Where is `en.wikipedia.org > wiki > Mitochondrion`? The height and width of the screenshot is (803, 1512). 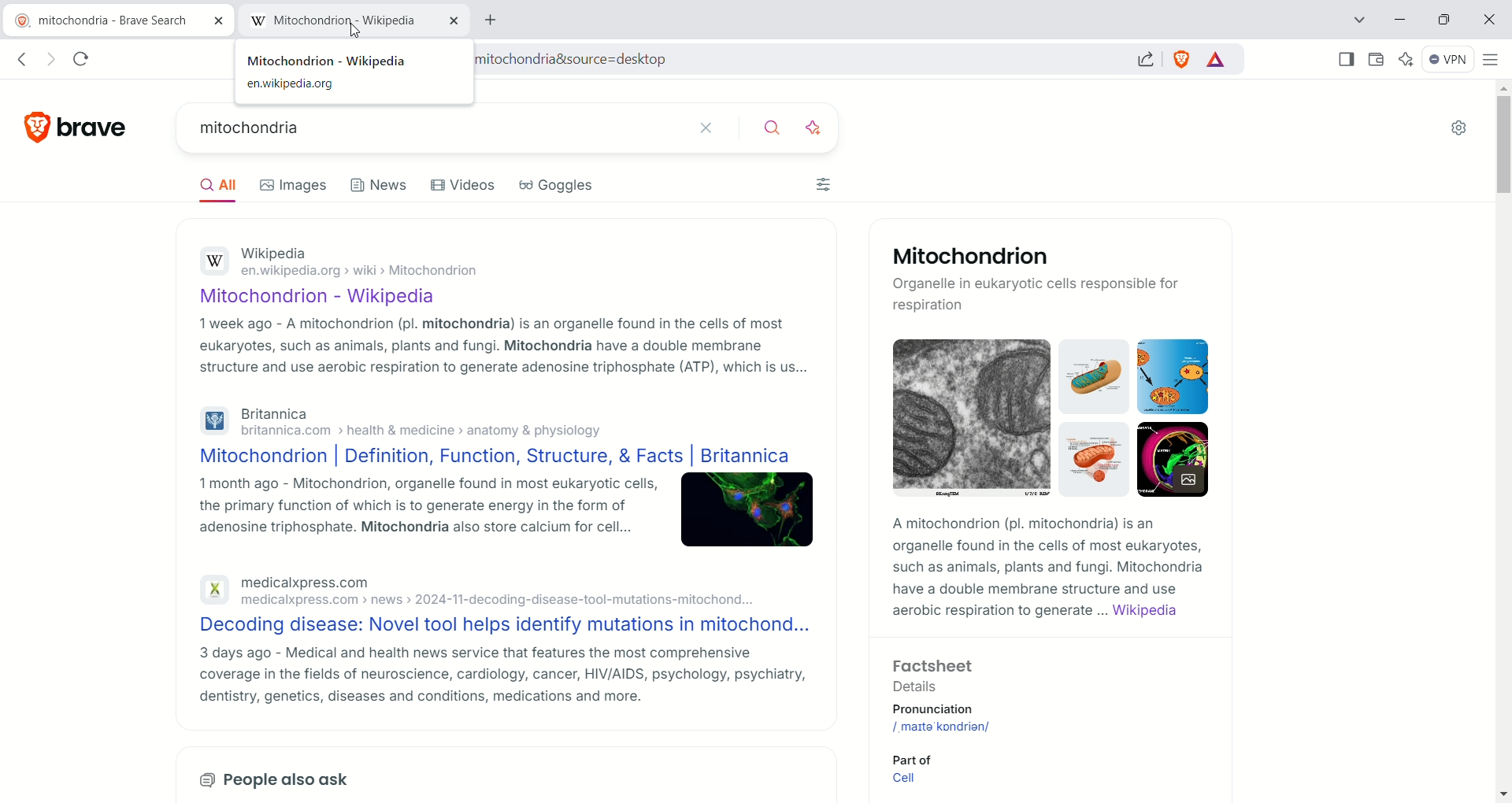 en.wikipedia.org > wiki > Mitochondrion is located at coordinates (373, 271).